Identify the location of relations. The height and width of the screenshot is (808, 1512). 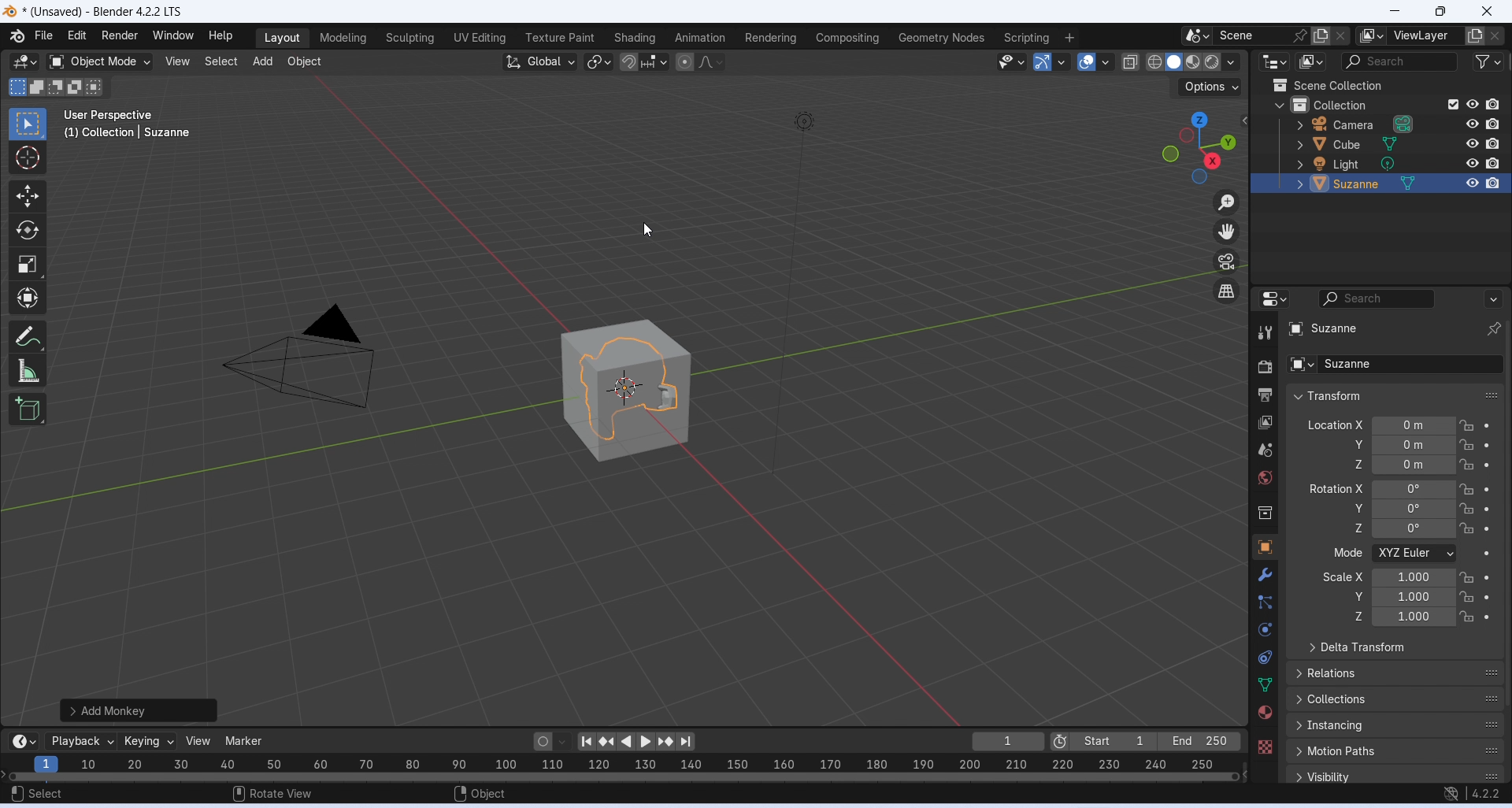
(1396, 672).